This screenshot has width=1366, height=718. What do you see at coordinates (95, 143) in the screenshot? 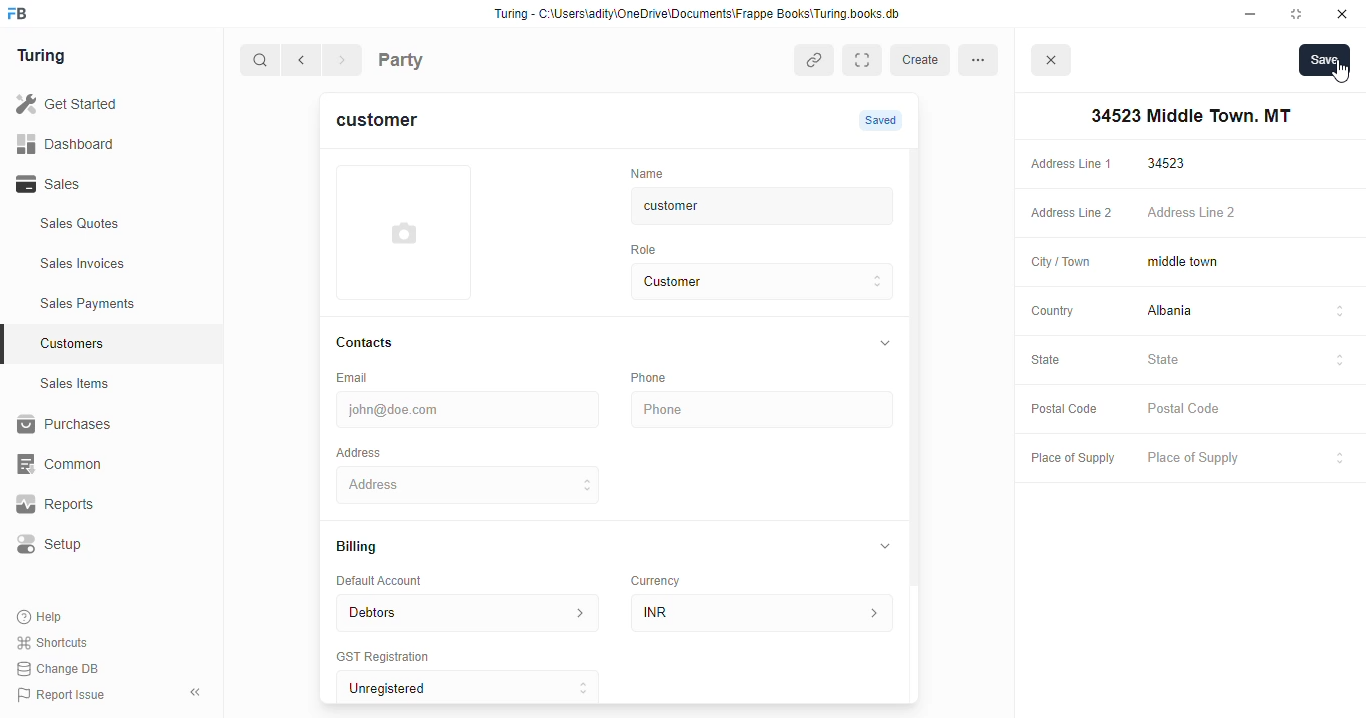
I see `Dashboard` at bounding box center [95, 143].